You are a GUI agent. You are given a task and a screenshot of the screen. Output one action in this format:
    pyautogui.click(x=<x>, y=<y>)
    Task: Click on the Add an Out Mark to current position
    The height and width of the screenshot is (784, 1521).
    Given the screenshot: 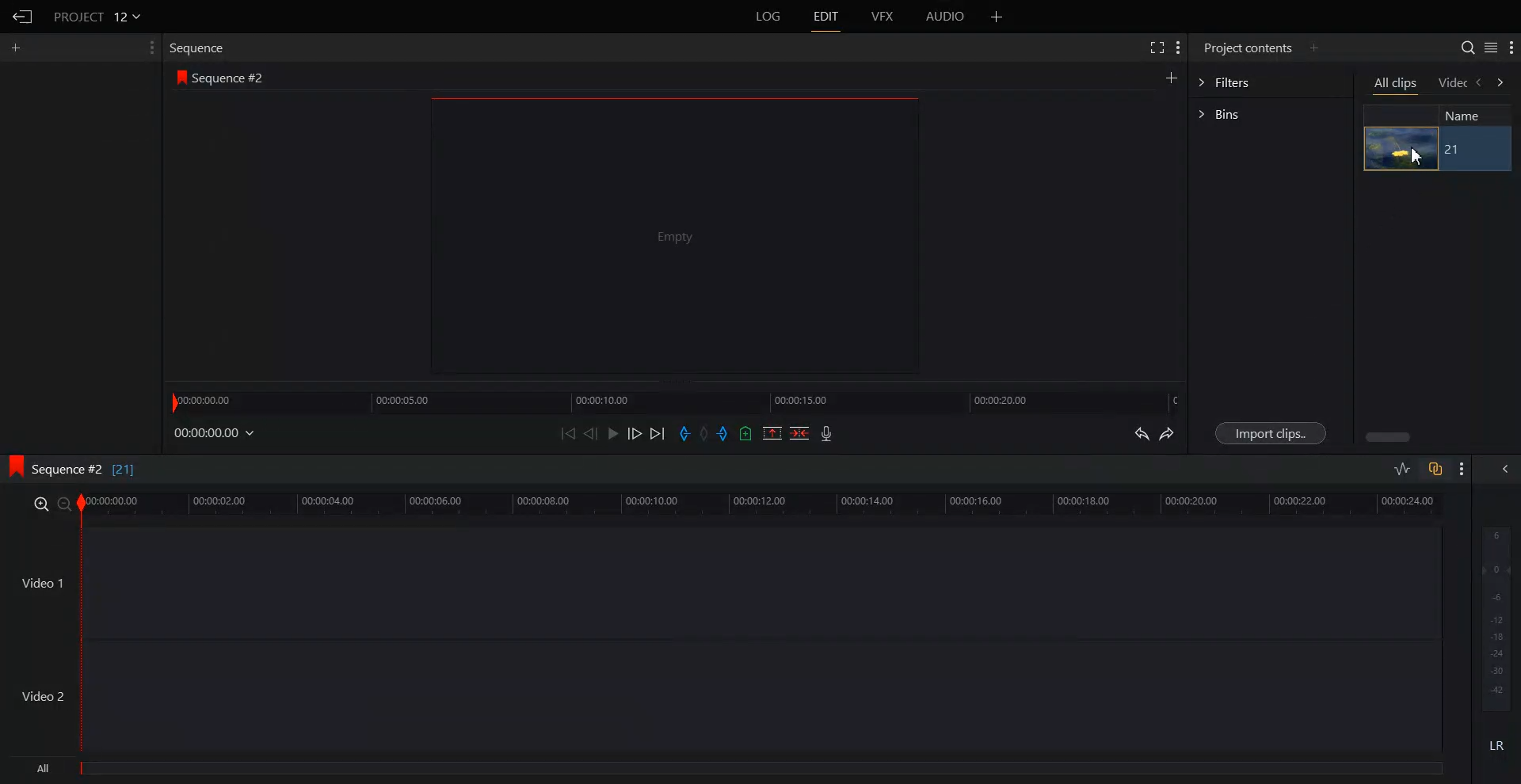 What is the action you would take?
    pyautogui.click(x=724, y=433)
    